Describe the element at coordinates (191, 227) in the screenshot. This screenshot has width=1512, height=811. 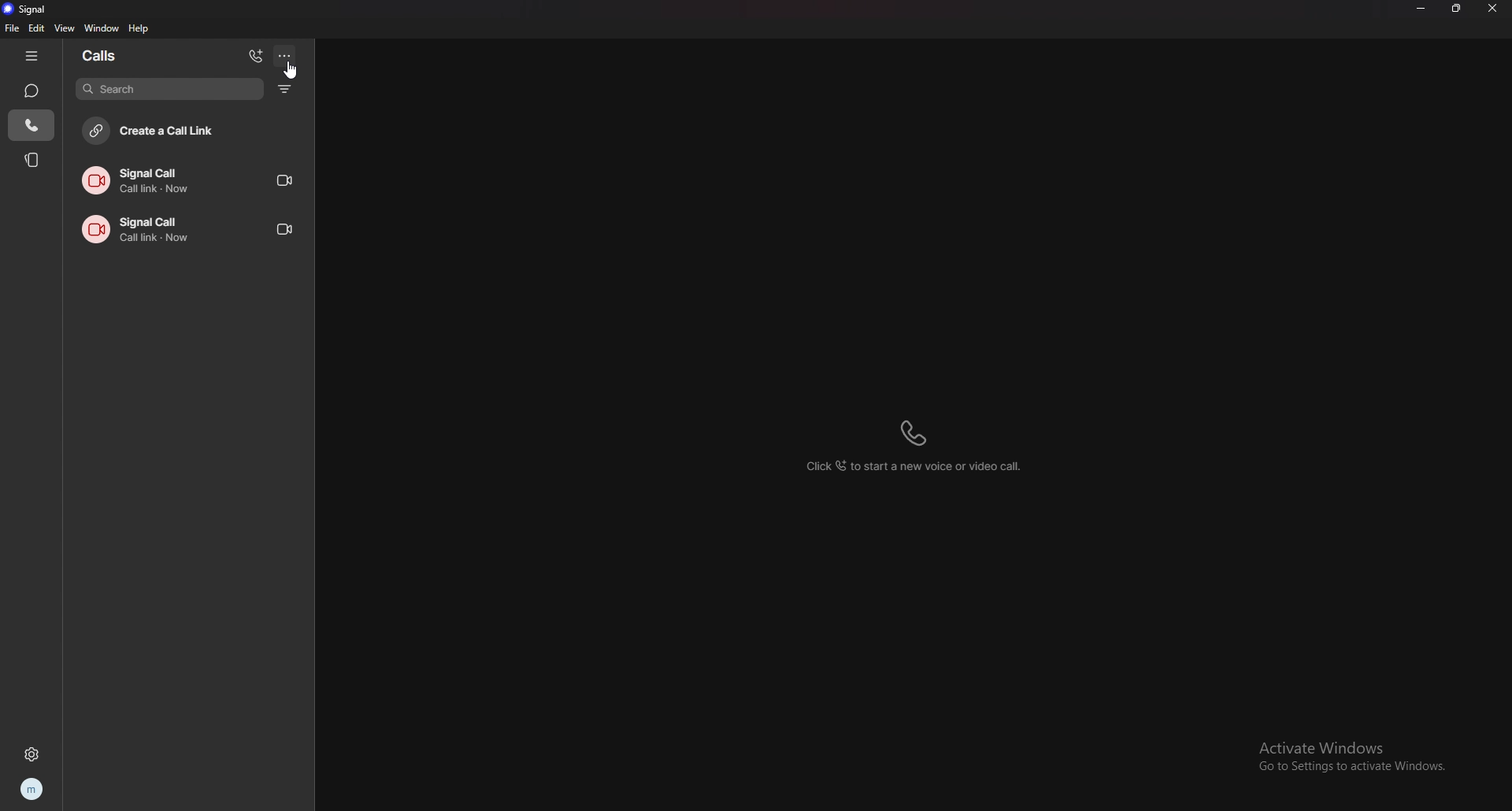
I see `call` at that location.